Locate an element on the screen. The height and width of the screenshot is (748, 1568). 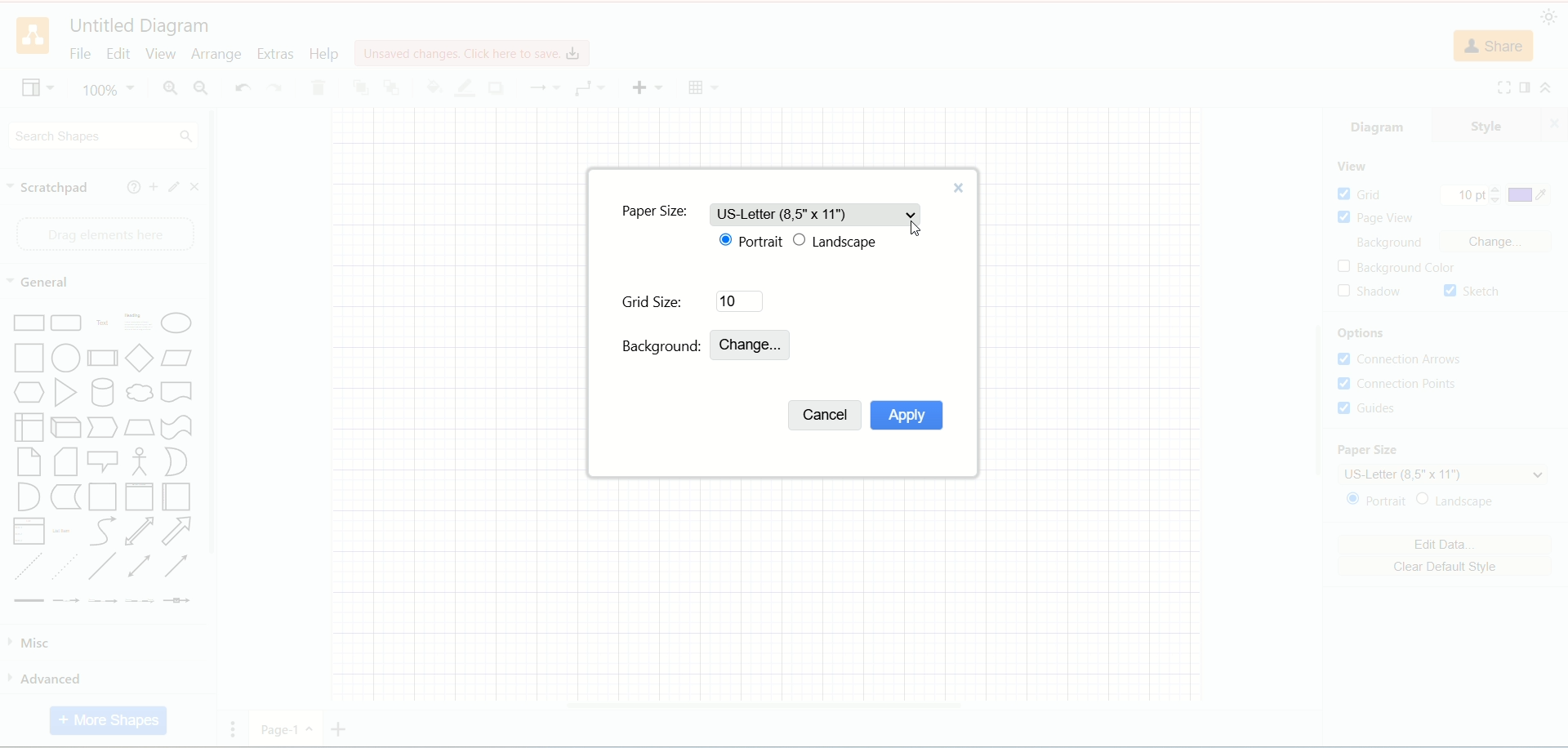
Cube is located at coordinates (65, 428).